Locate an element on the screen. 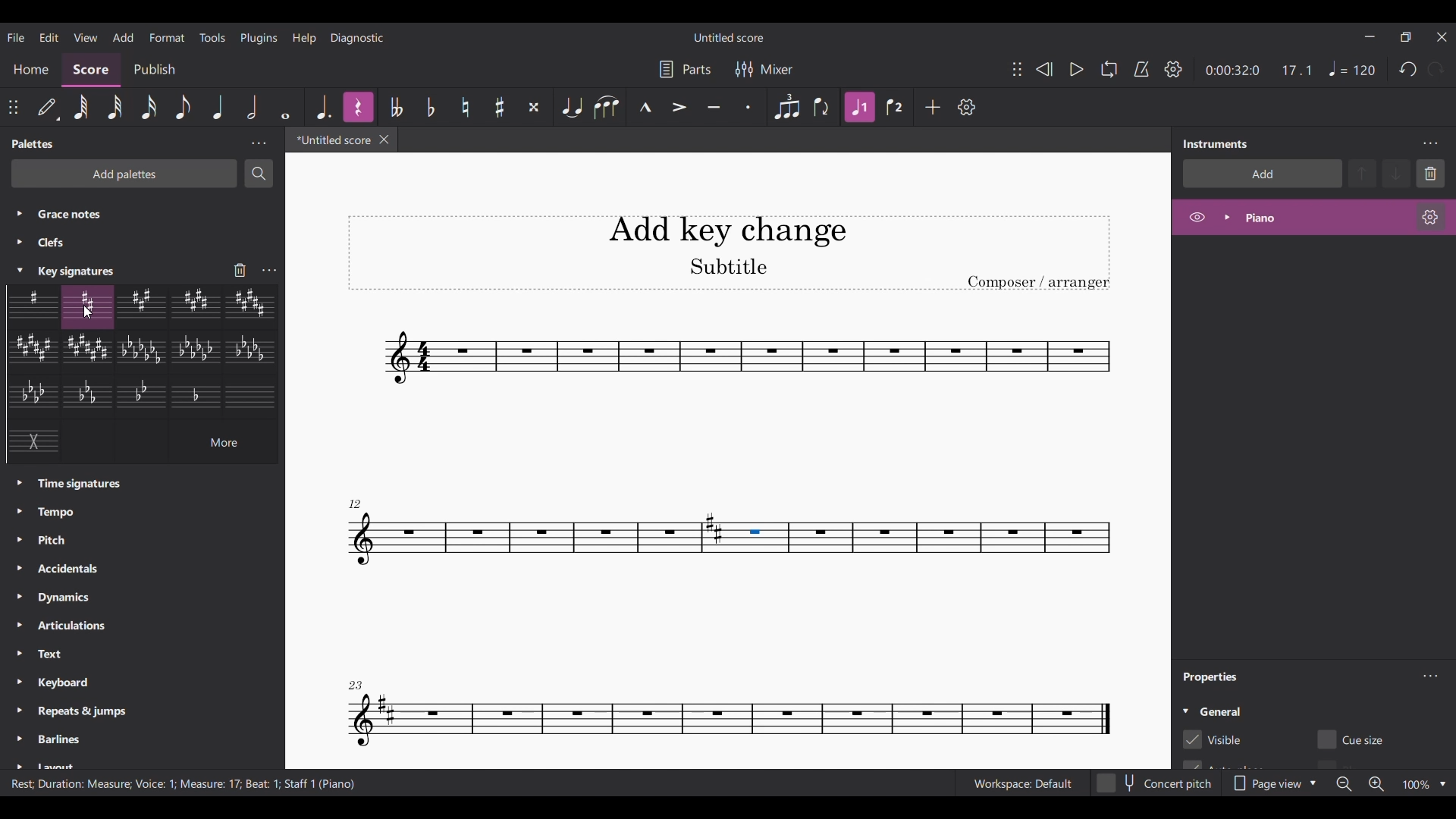 The height and width of the screenshot is (819, 1456). Information about current selection is located at coordinates (185, 783).